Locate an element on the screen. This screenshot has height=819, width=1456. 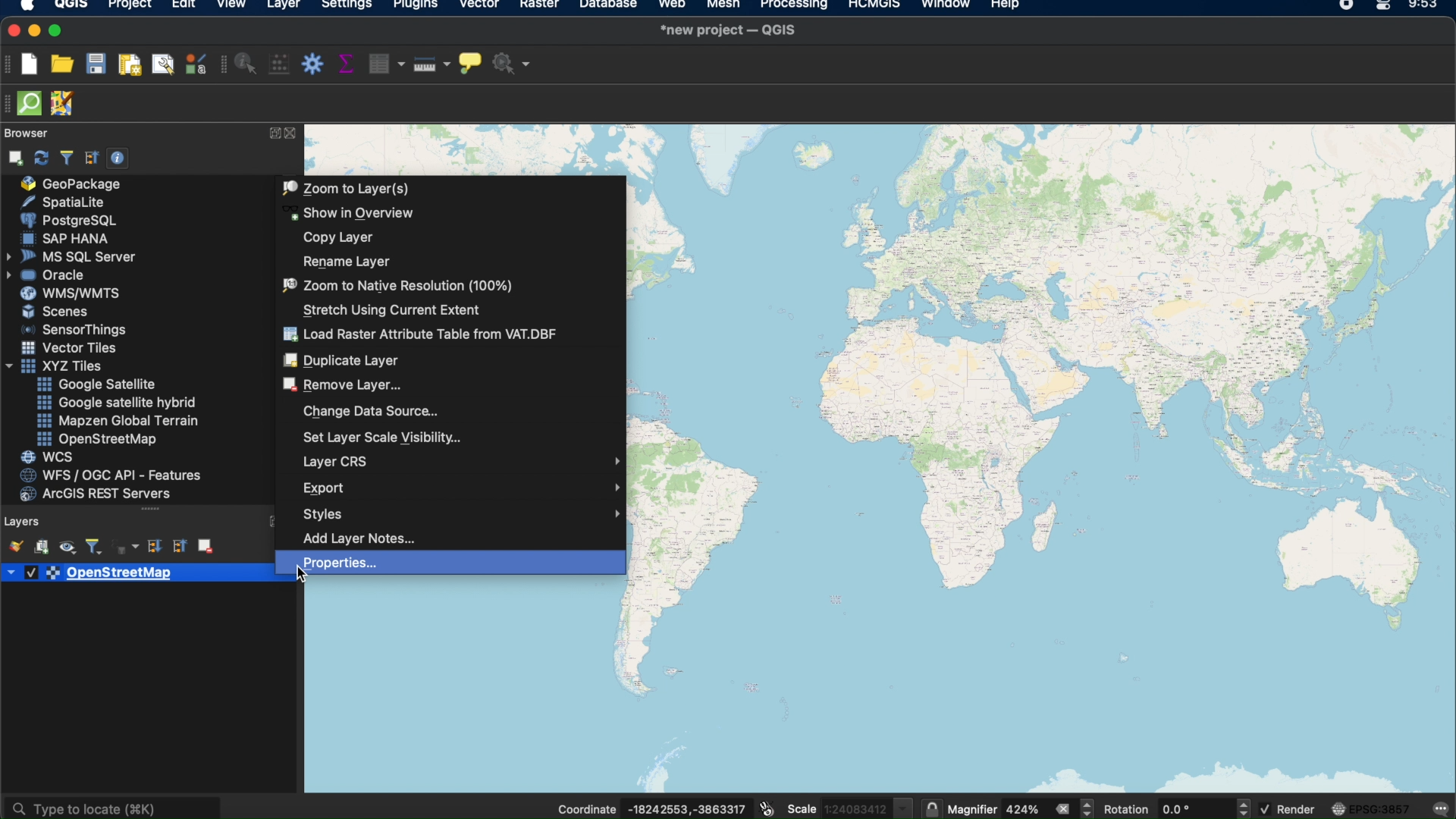
load raster attribute table from VAT.DBF is located at coordinates (416, 334).